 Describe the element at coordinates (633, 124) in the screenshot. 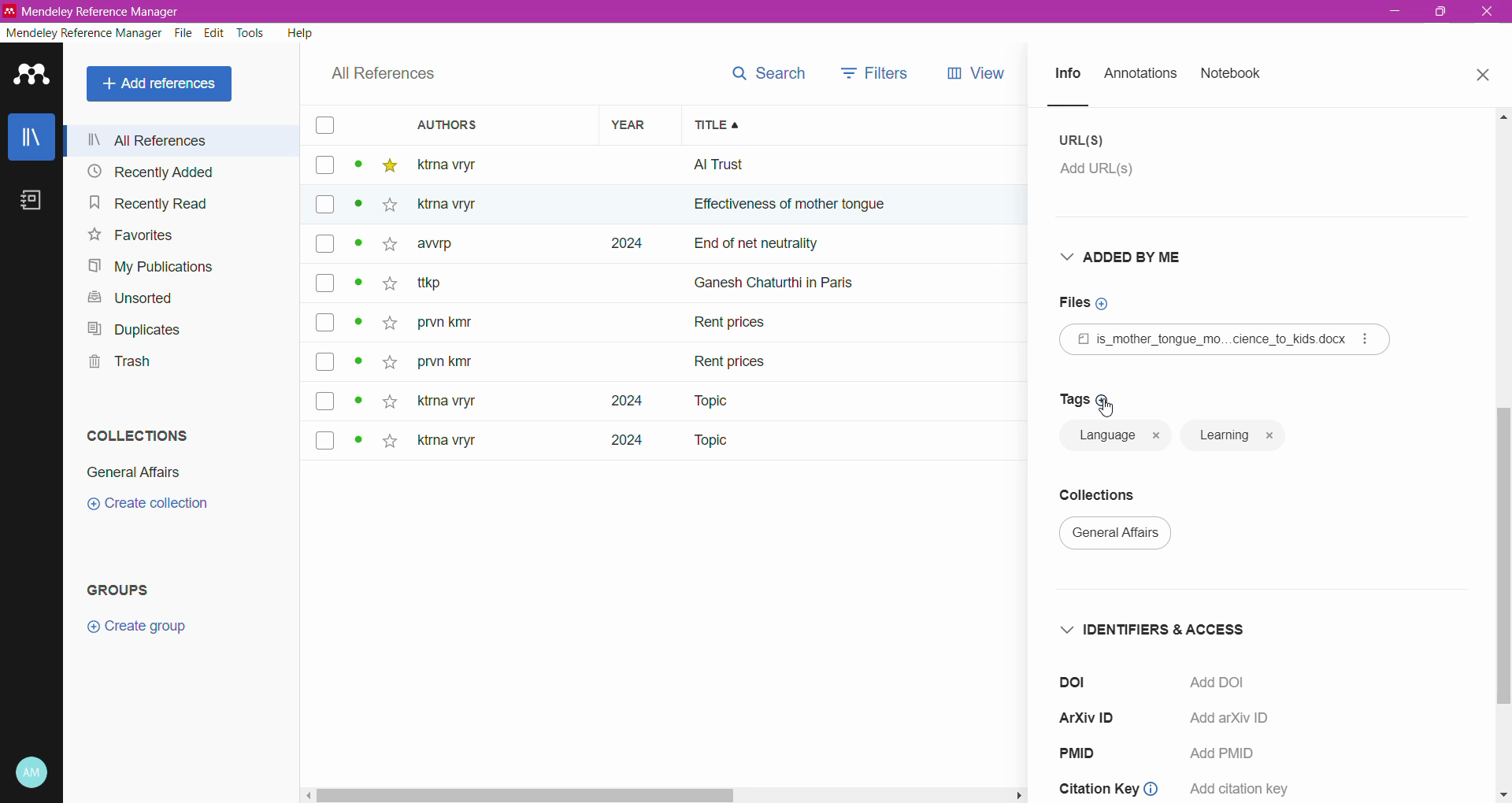

I see `Year` at that location.